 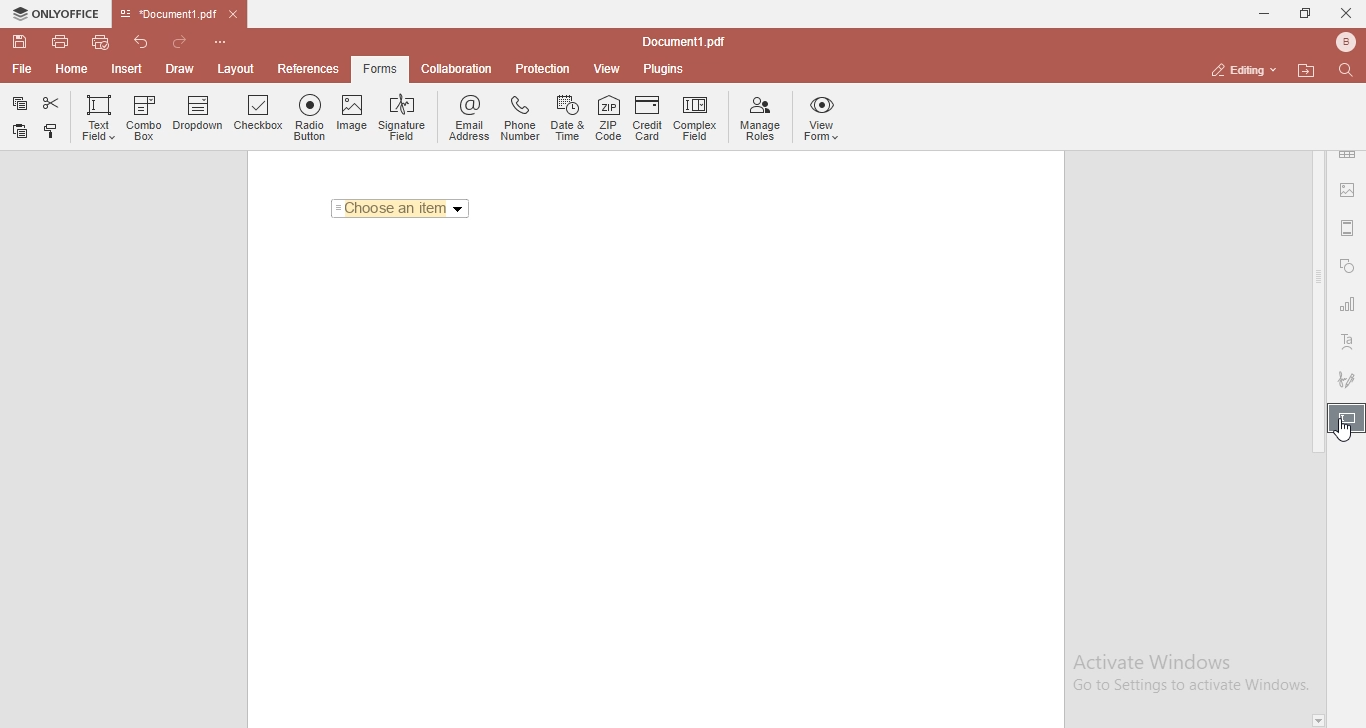 What do you see at coordinates (239, 69) in the screenshot?
I see `layout` at bounding box center [239, 69].